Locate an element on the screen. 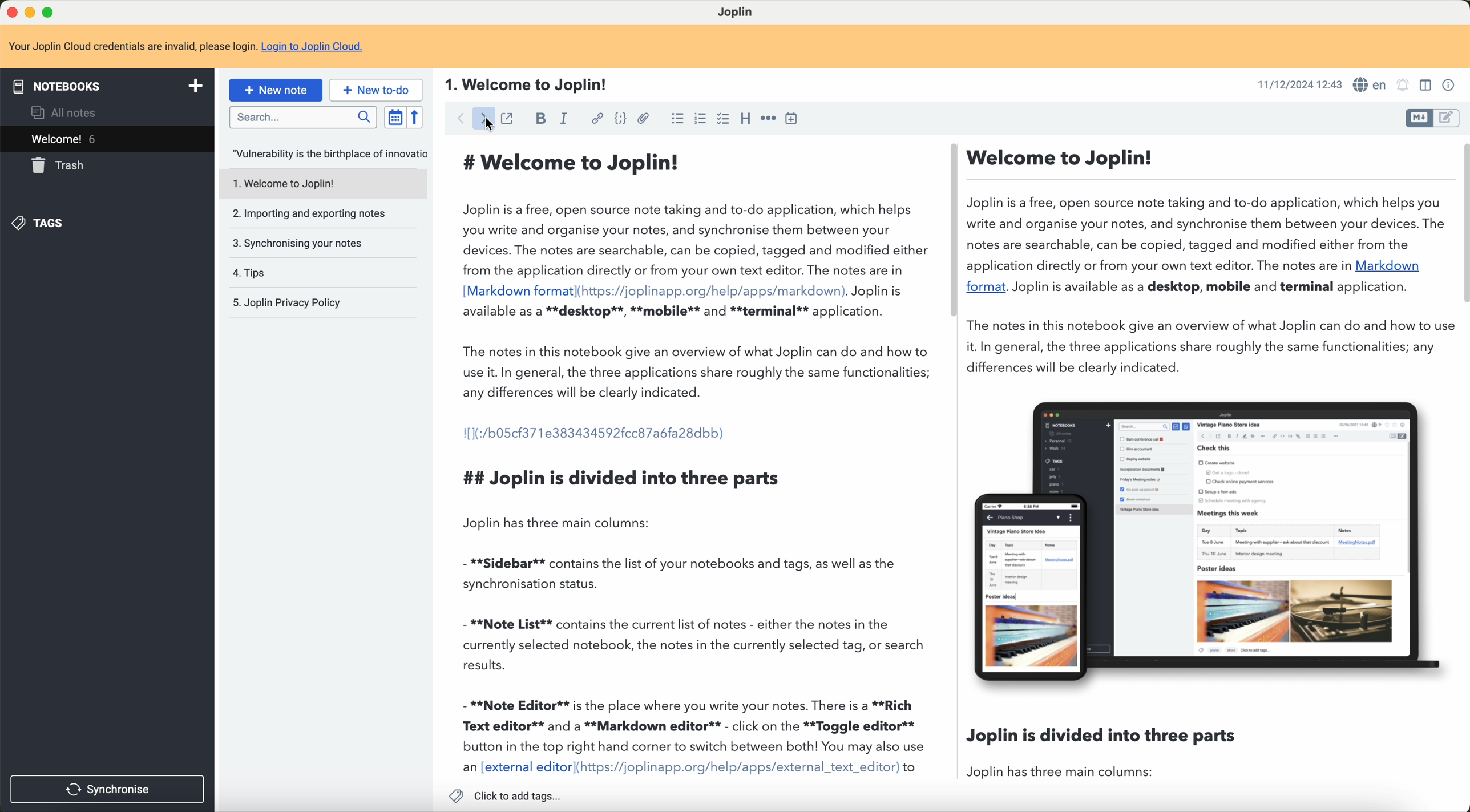 The height and width of the screenshot is (812, 1470). numered list is located at coordinates (699, 121).